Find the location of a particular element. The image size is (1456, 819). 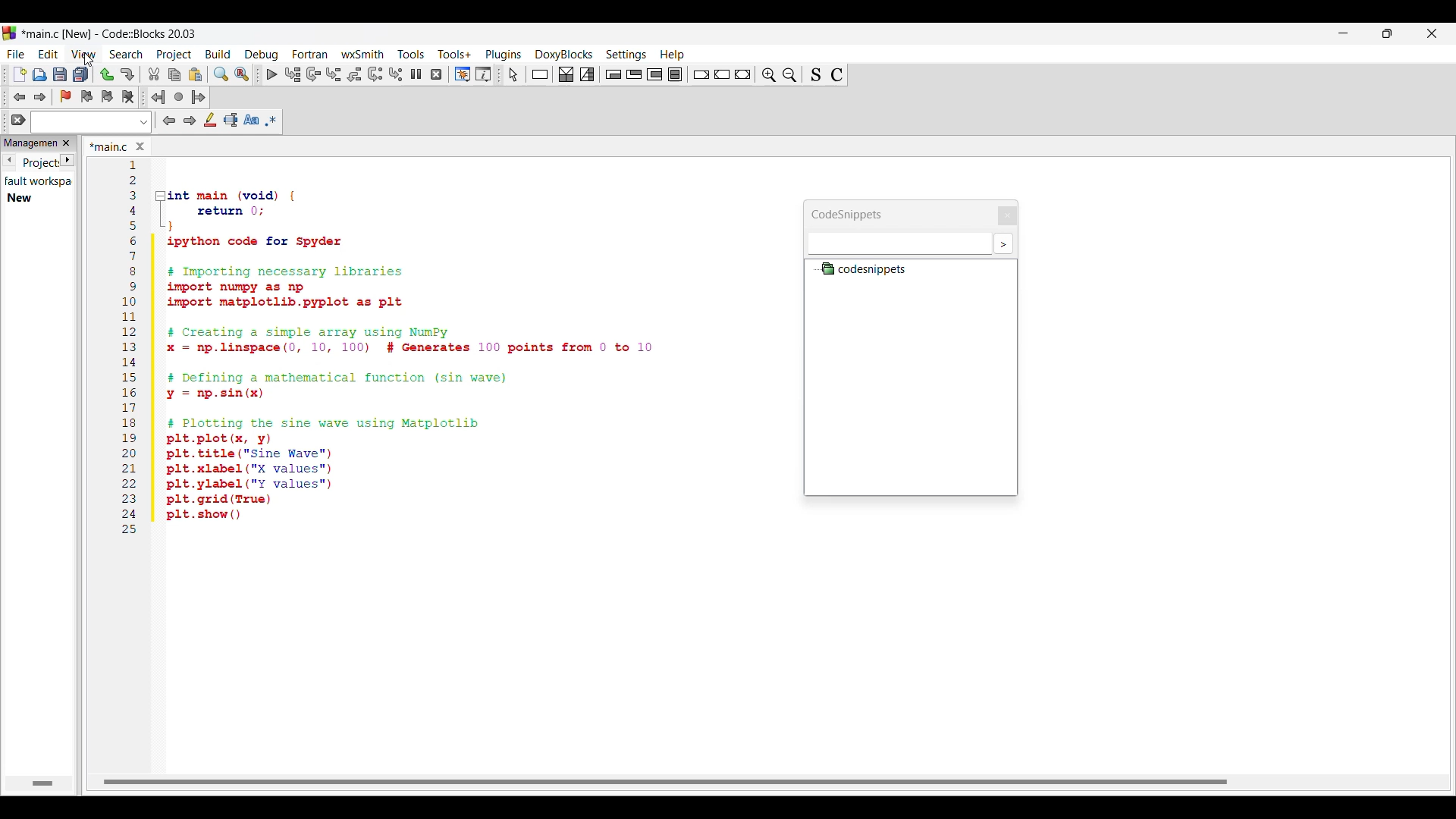

Zoom in is located at coordinates (789, 74).